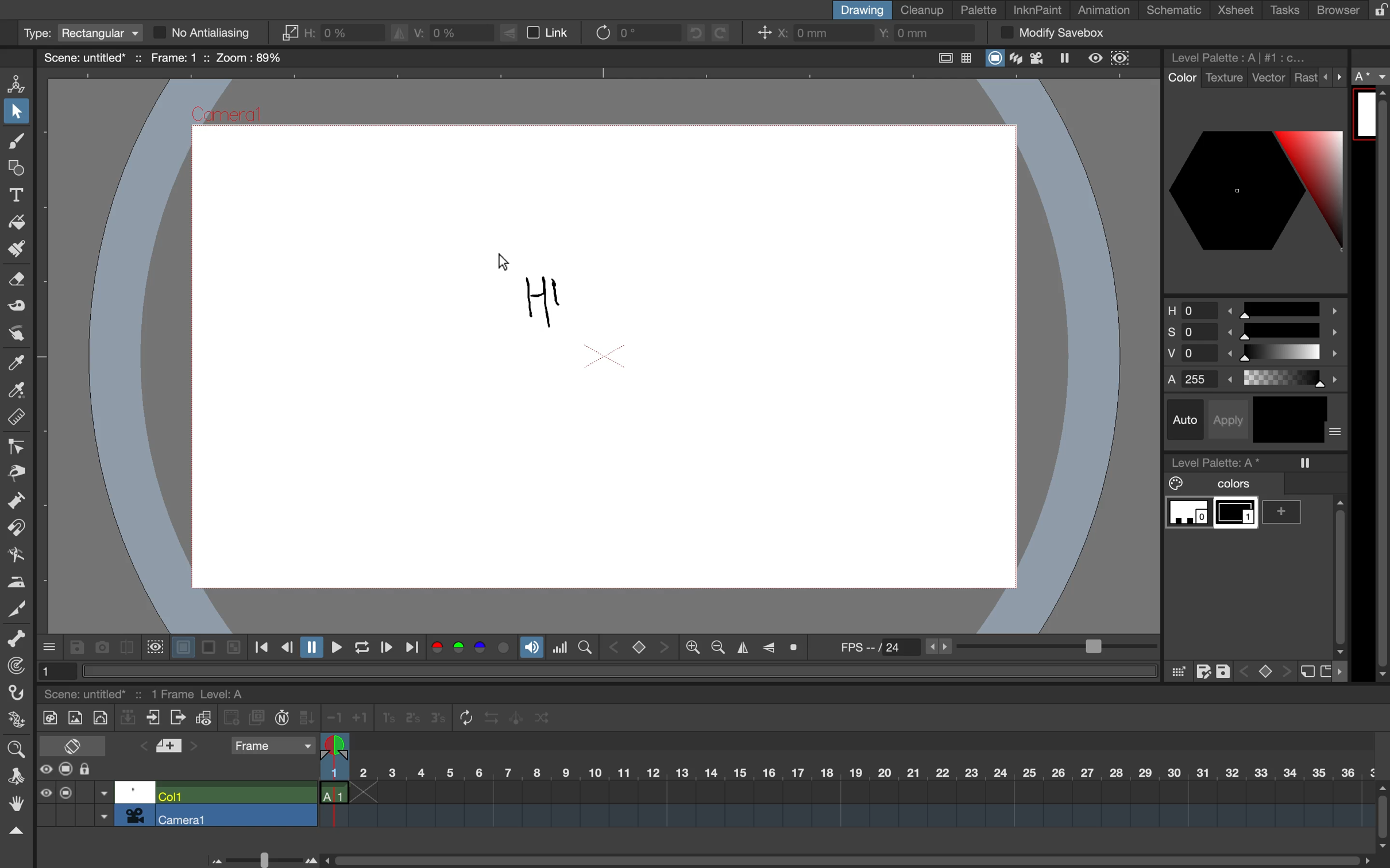 This screenshot has height=868, width=1390. Describe the element at coordinates (15, 529) in the screenshot. I see `magnet tool` at that location.